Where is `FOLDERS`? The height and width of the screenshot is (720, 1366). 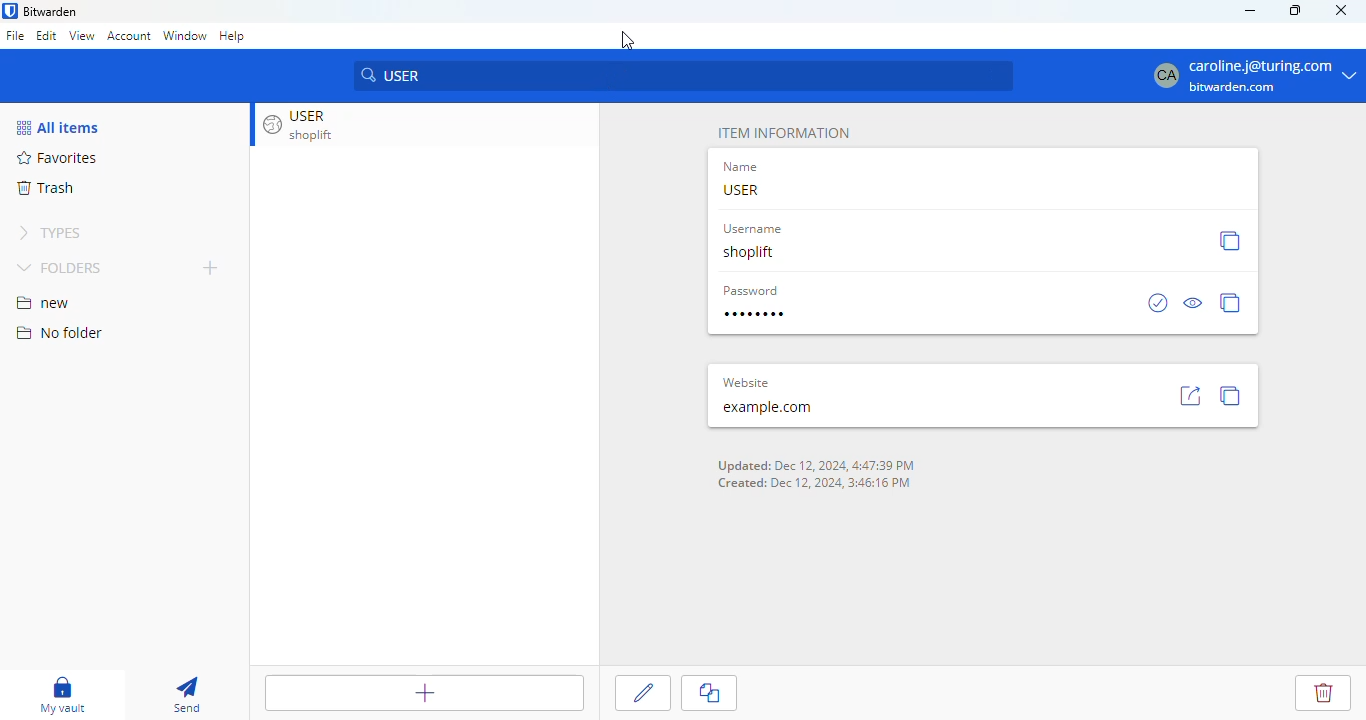
FOLDERS is located at coordinates (60, 270).